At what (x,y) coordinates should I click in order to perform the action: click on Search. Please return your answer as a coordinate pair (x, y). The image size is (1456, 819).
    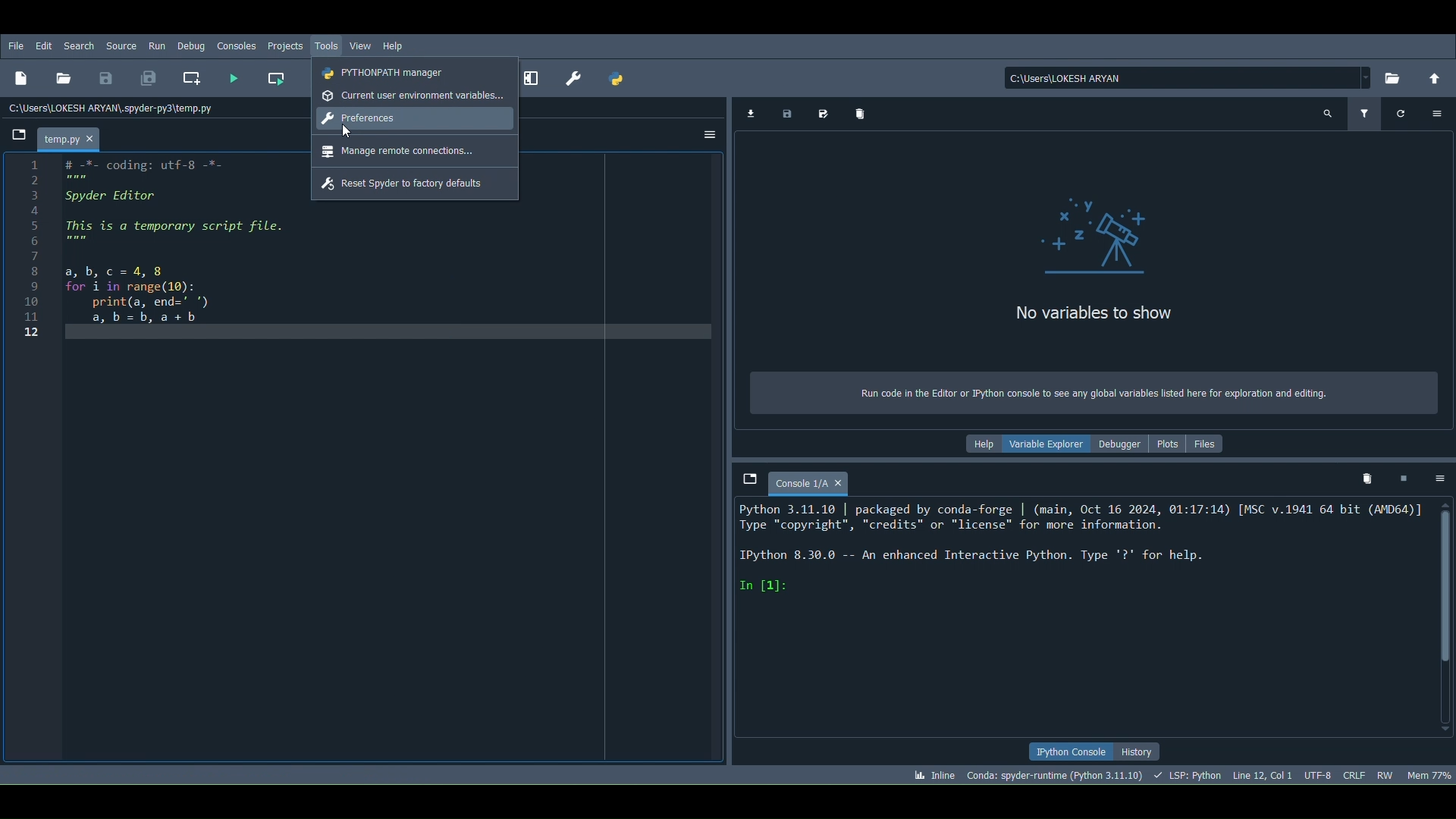
    Looking at the image, I should click on (83, 47).